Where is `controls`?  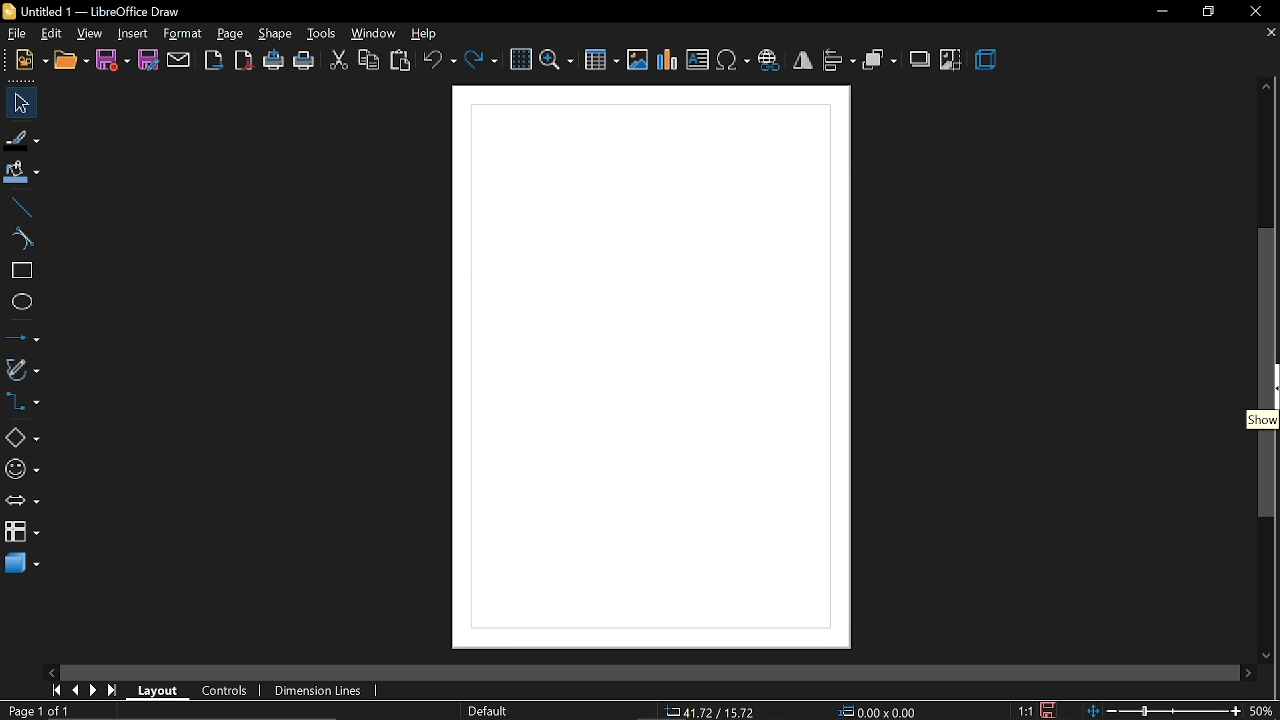
controls is located at coordinates (224, 691).